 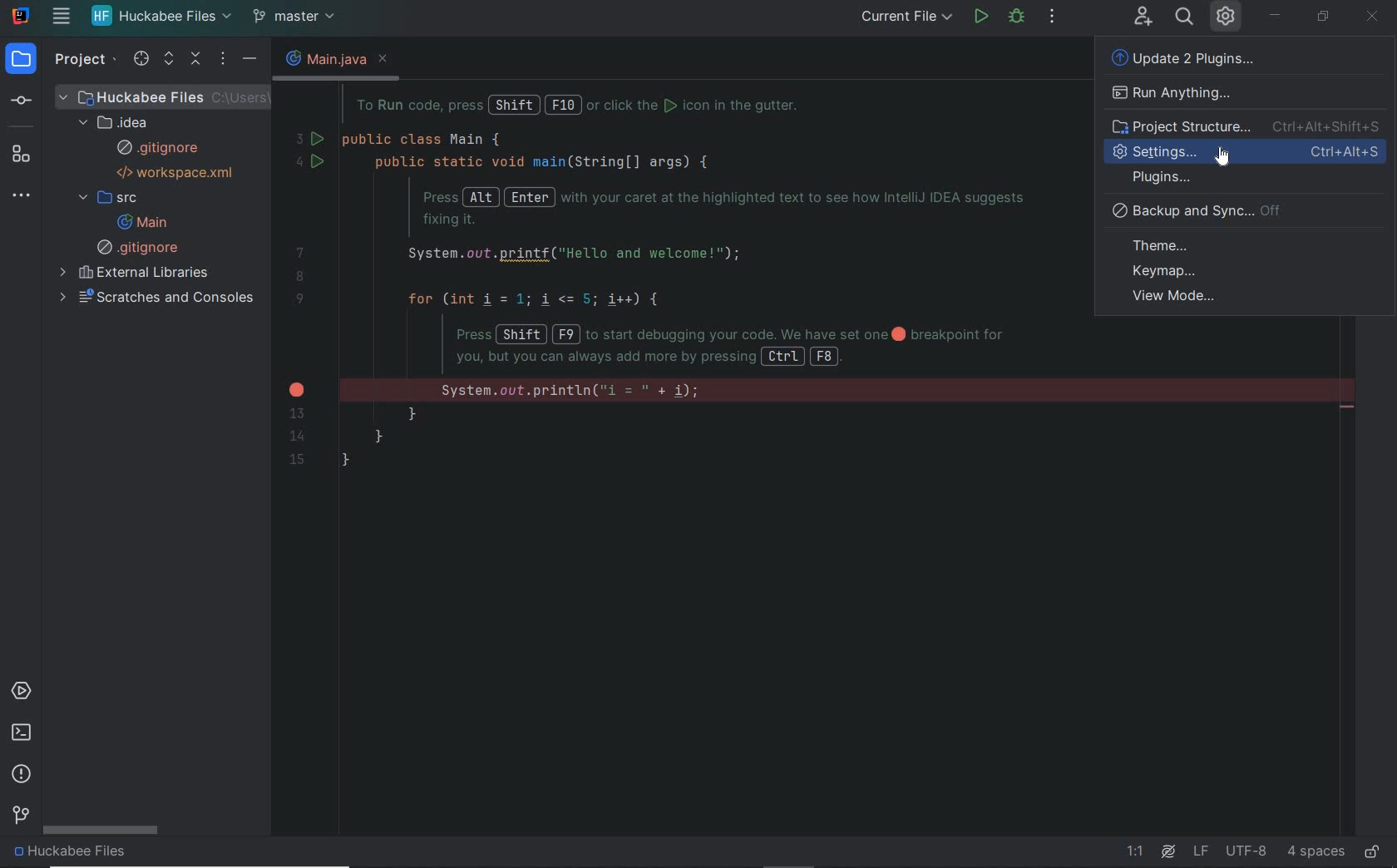 I want to click on settings, so click(x=1227, y=18).